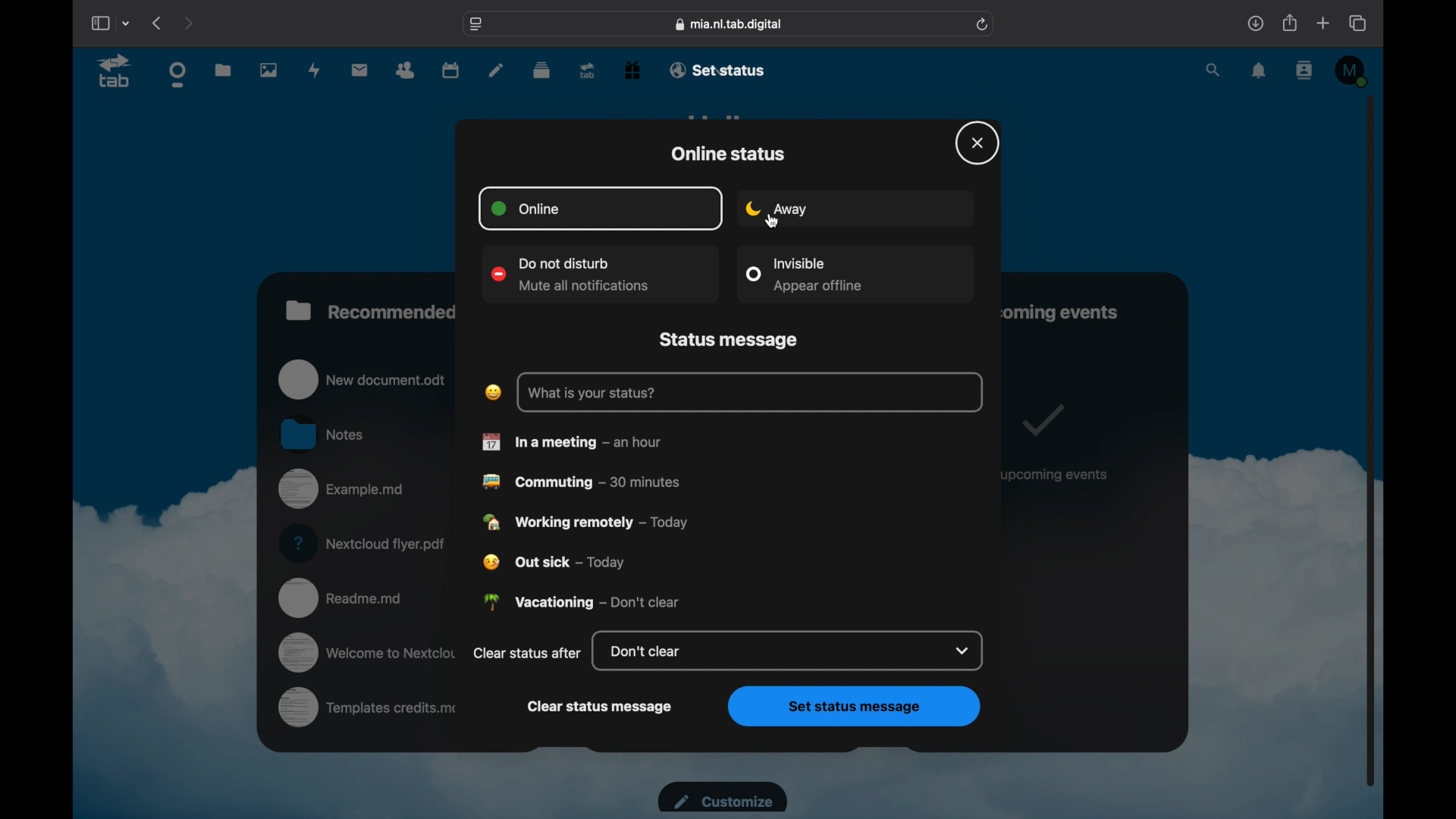  Describe the element at coordinates (777, 209) in the screenshot. I see `away` at that location.